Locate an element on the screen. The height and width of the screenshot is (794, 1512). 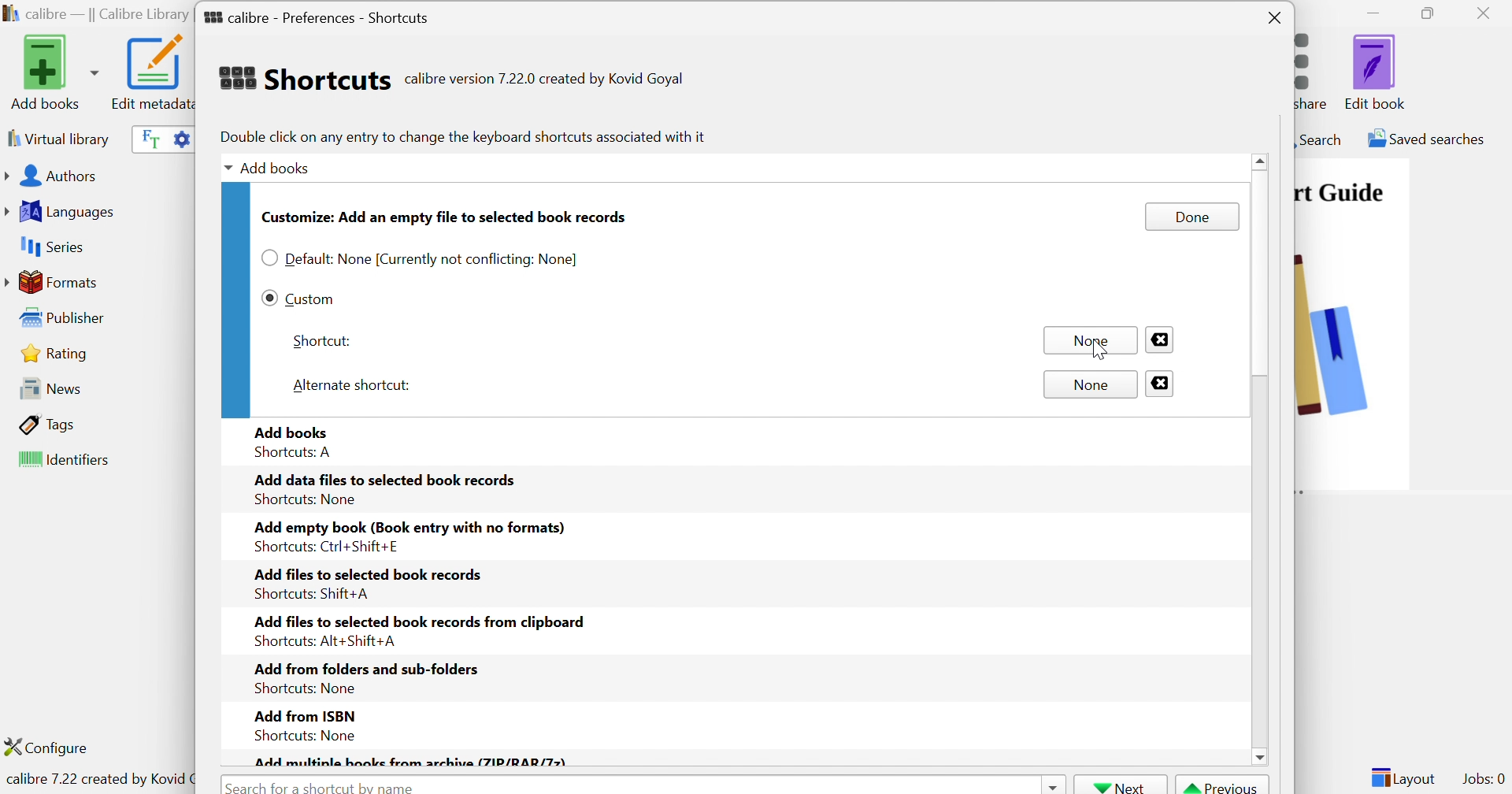
Close is located at coordinates (1161, 384).